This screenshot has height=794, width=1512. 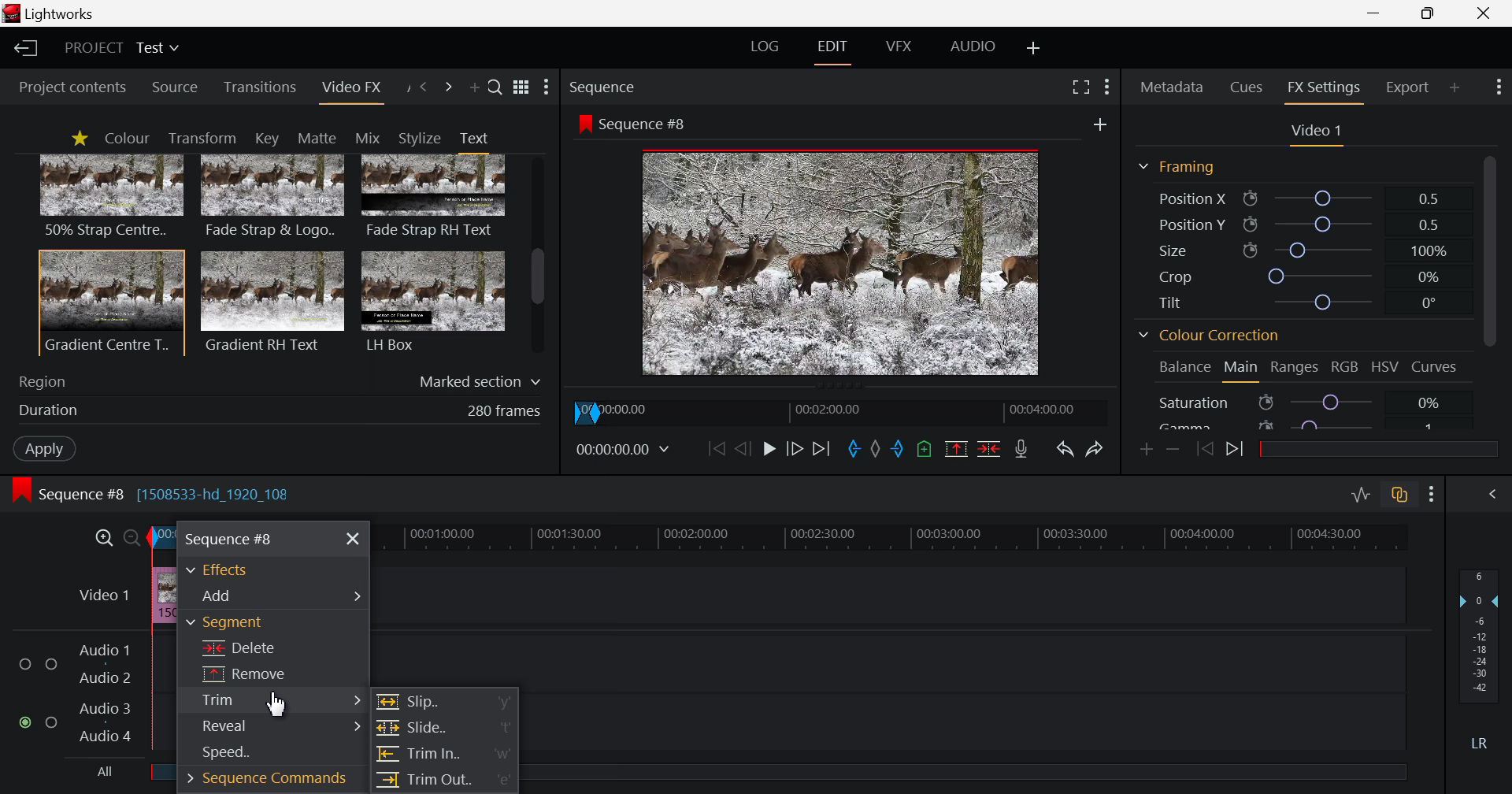 What do you see at coordinates (1345, 369) in the screenshot?
I see `RGB` at bounding box center [1345, 369].